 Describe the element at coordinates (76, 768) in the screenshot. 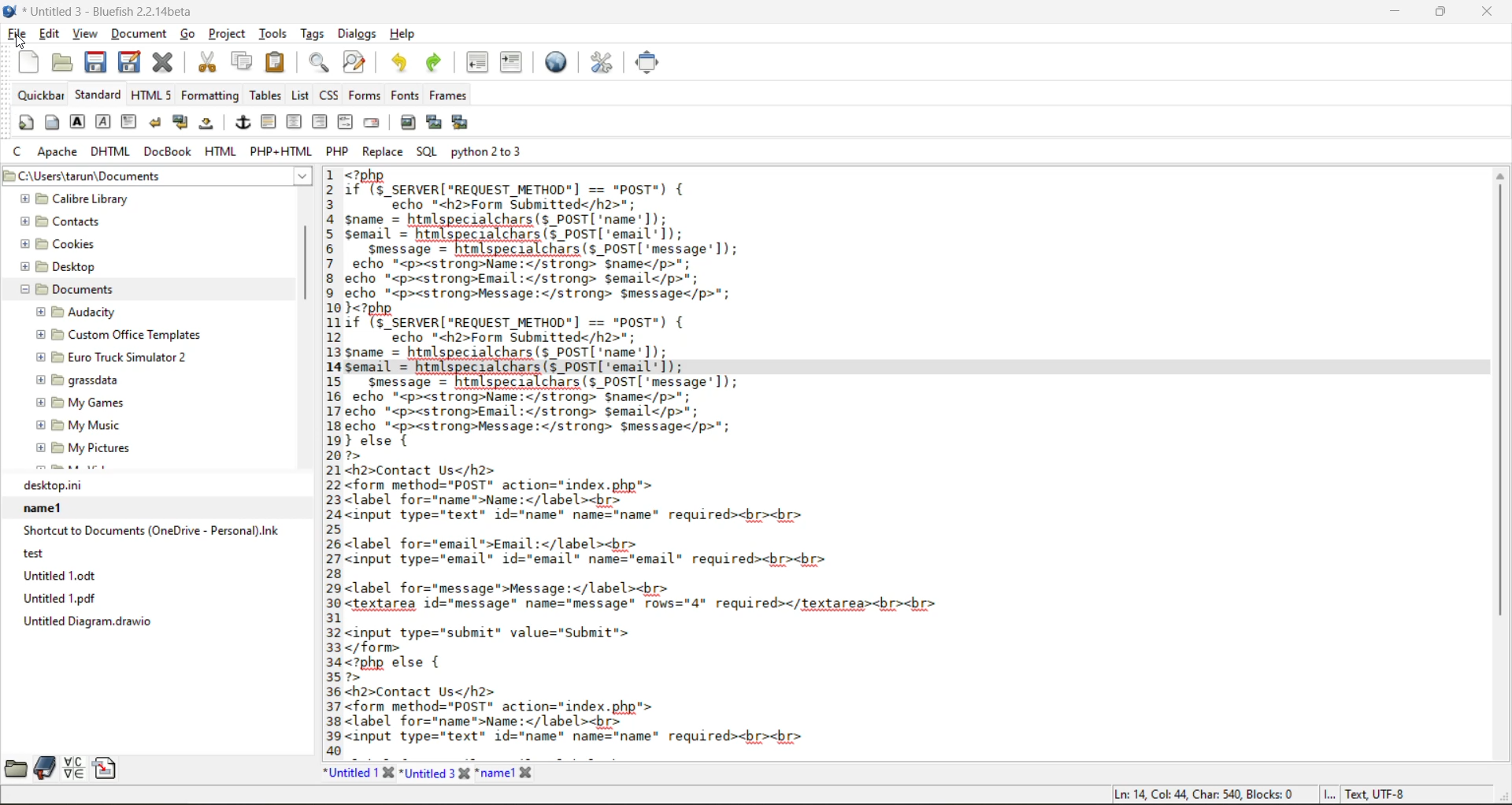

I see `charmap` at that location.